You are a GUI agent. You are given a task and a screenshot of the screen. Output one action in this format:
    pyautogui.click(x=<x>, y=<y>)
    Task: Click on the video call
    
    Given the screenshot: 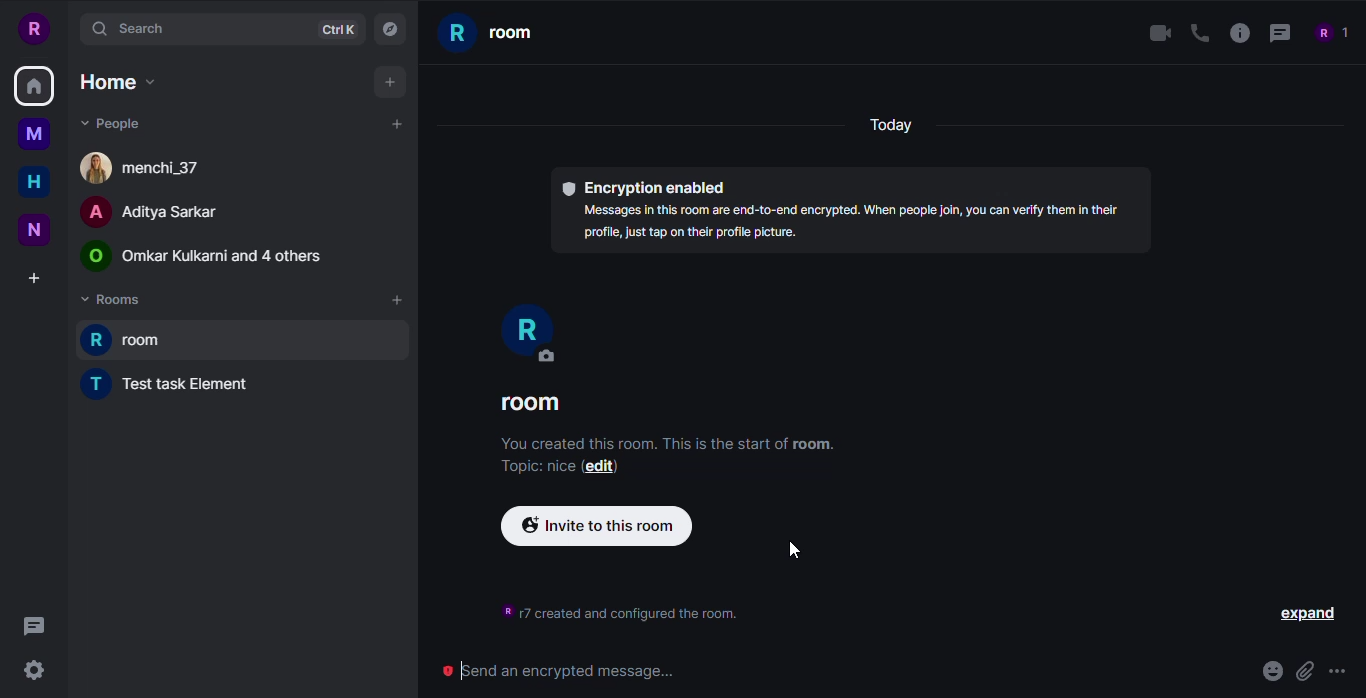 What is the action you would take?
    pyautogui.click(x=1156, y=34)
    